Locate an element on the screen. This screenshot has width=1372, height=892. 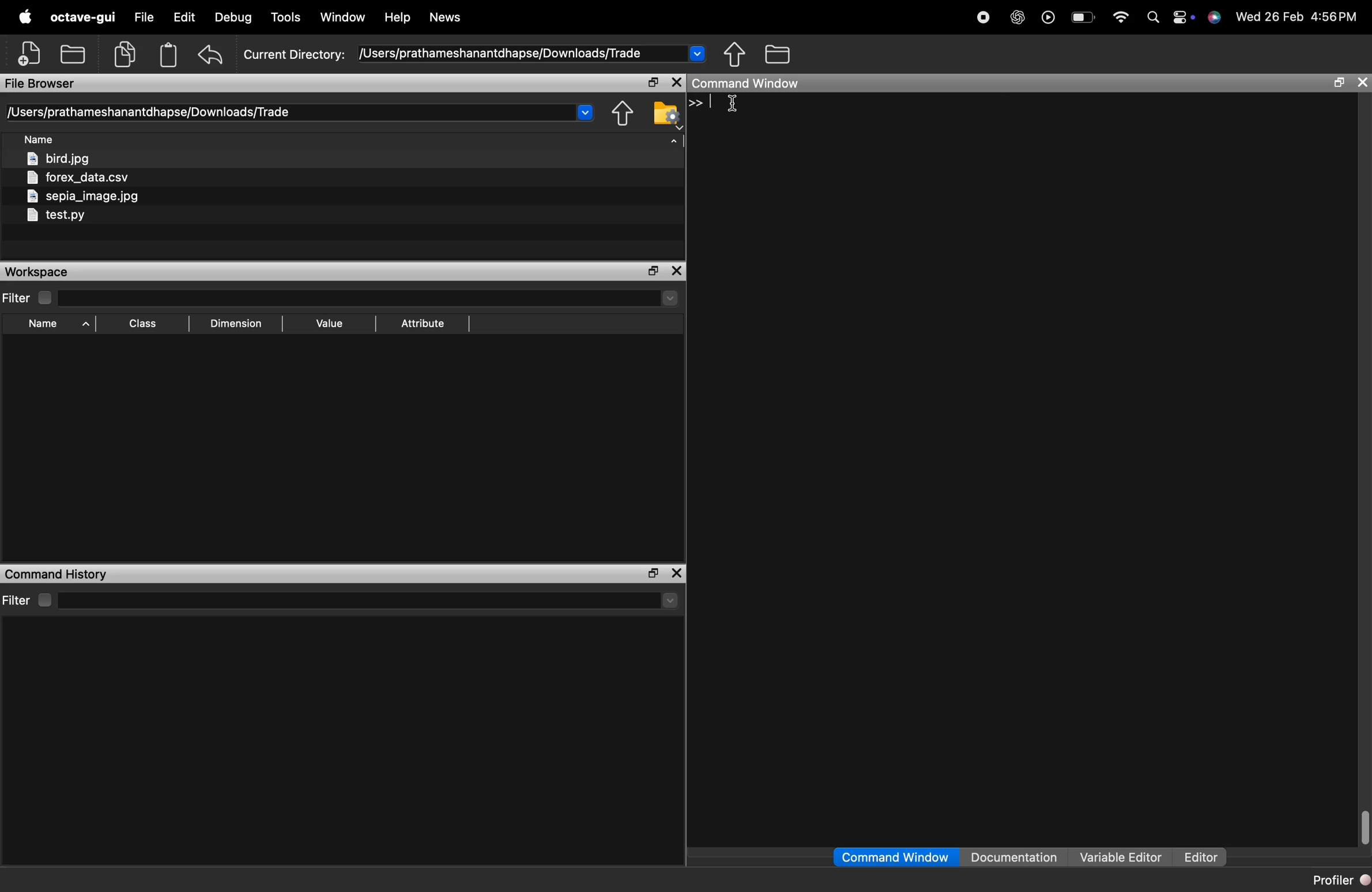
>> is located at coordinates (699, 103).